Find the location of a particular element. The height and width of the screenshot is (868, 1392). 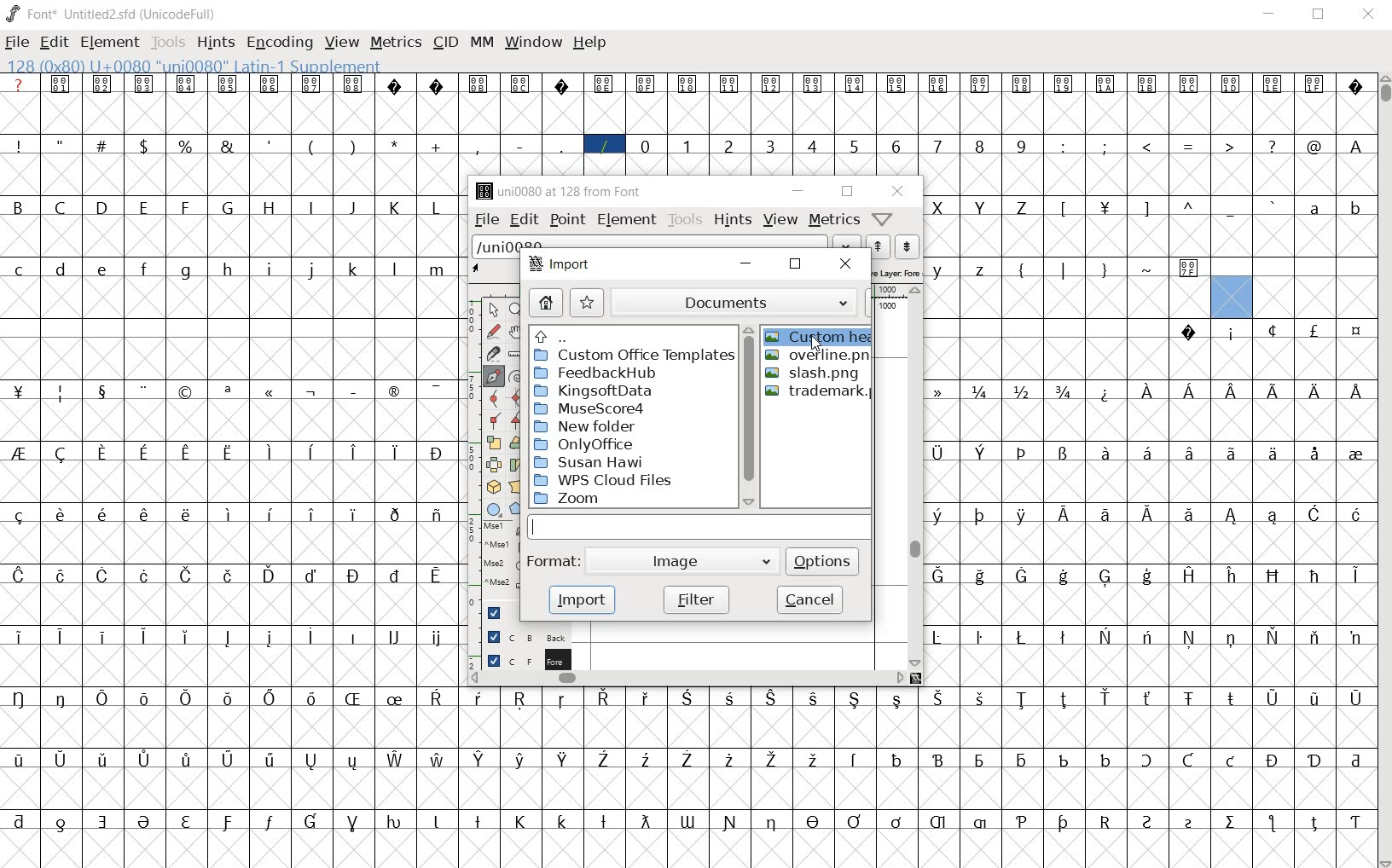

glyph is located at coordinates (520, 699).